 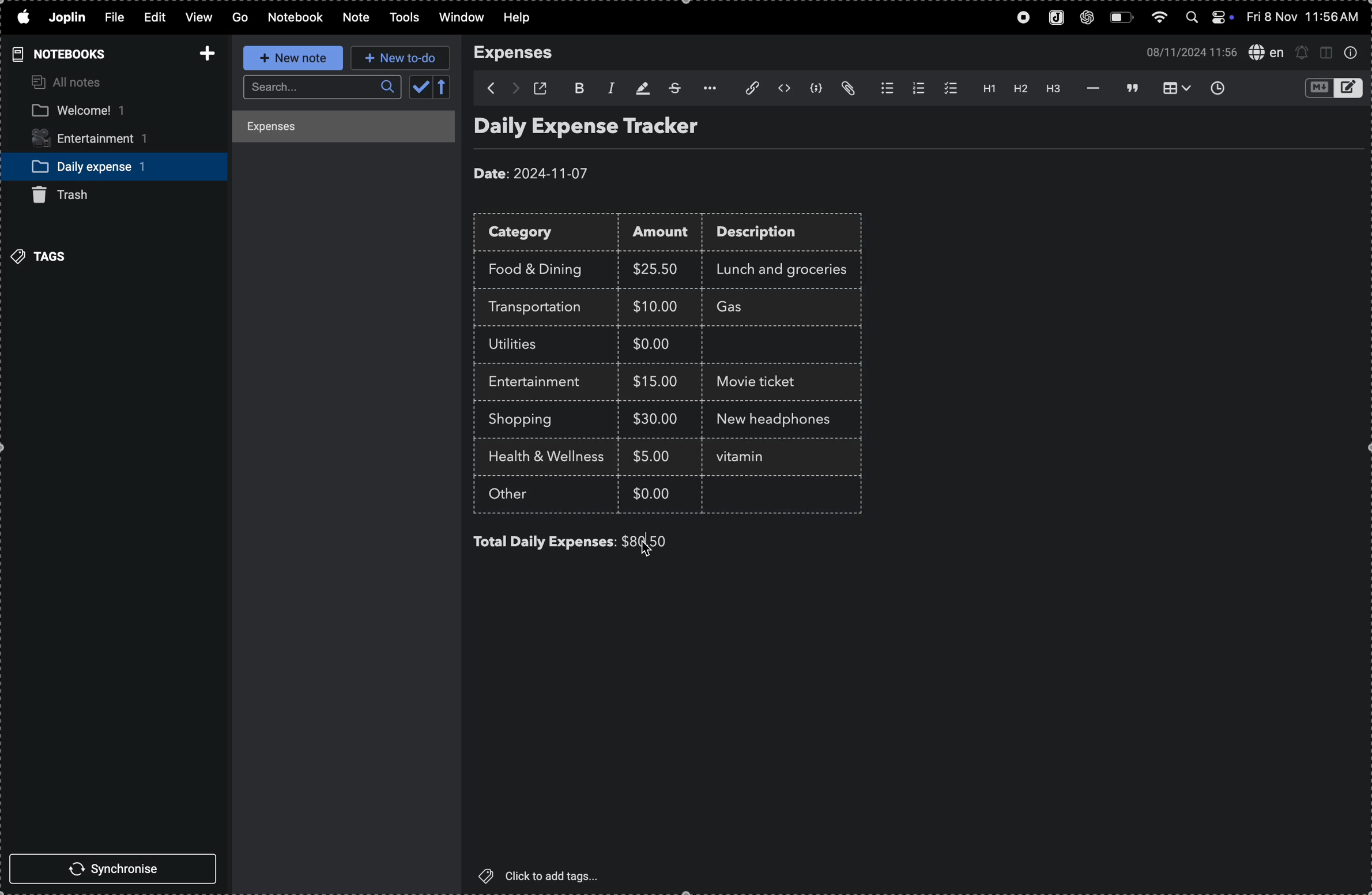 What do you see at coordinates (706, 88) in the screenshot?
I see `options` at bounding box center [706, 88].